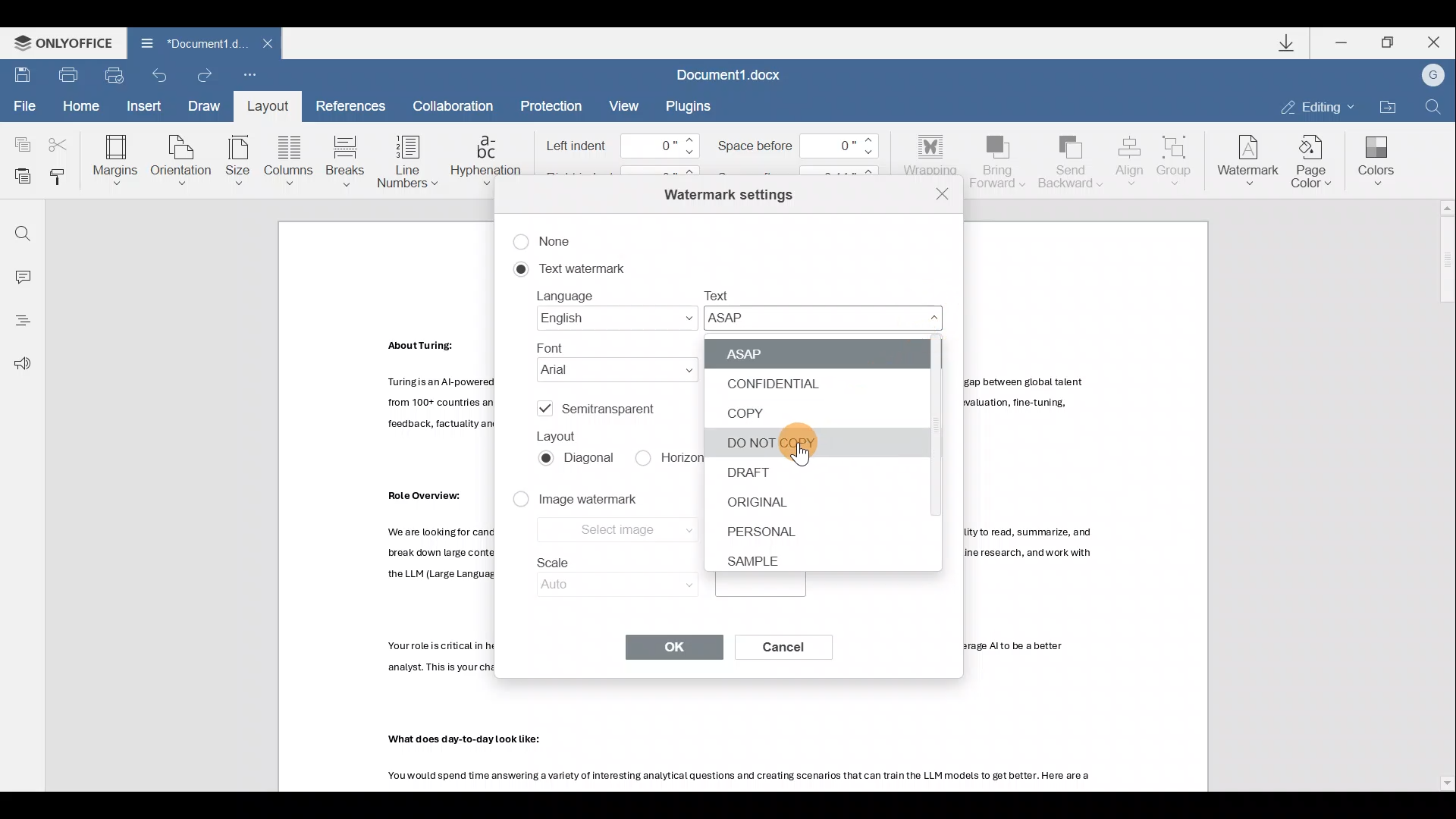  I want to click on Scale, so click(607, 576).